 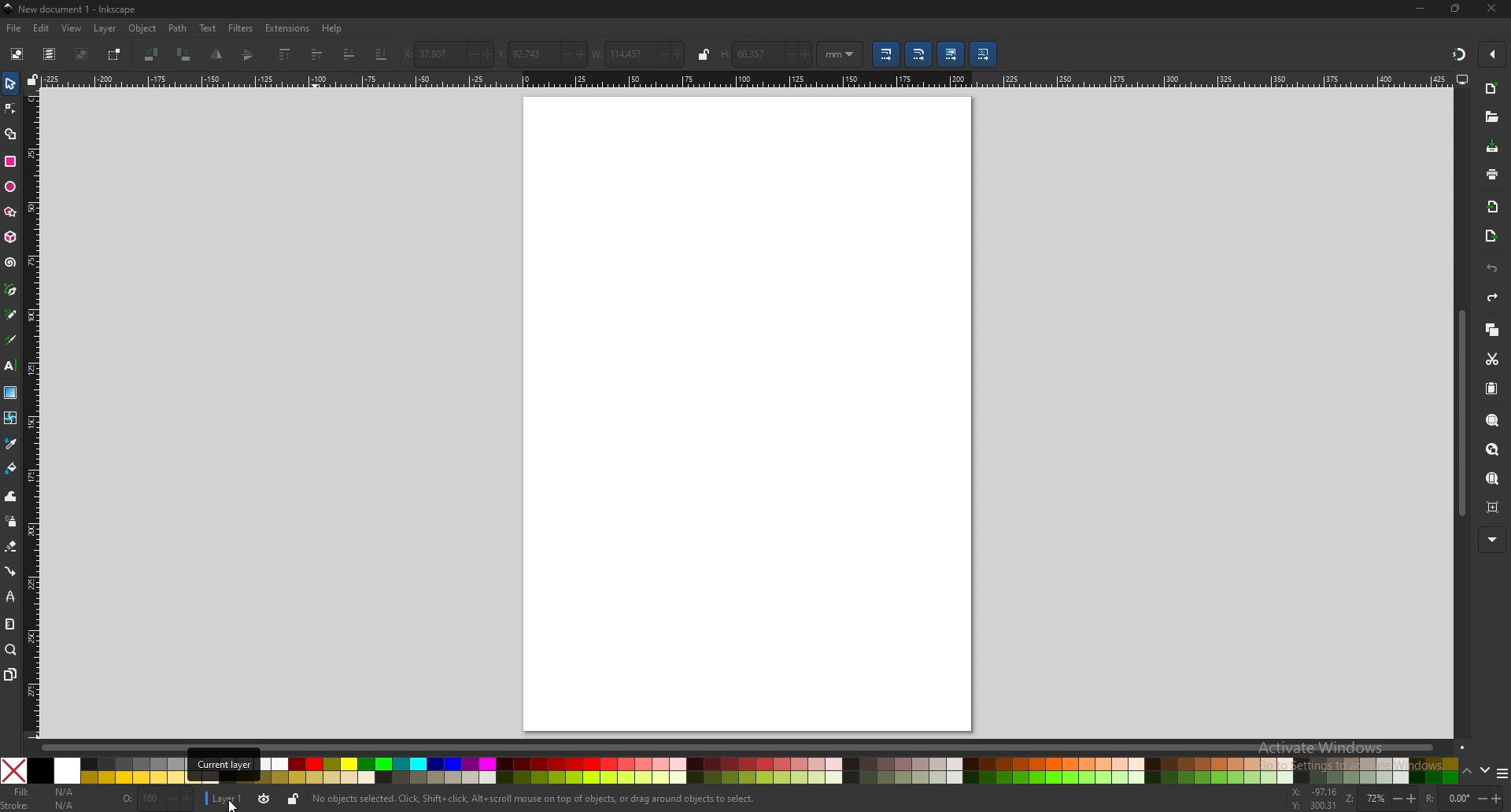 I want to click on zoom, so click(x=1381, y=798).